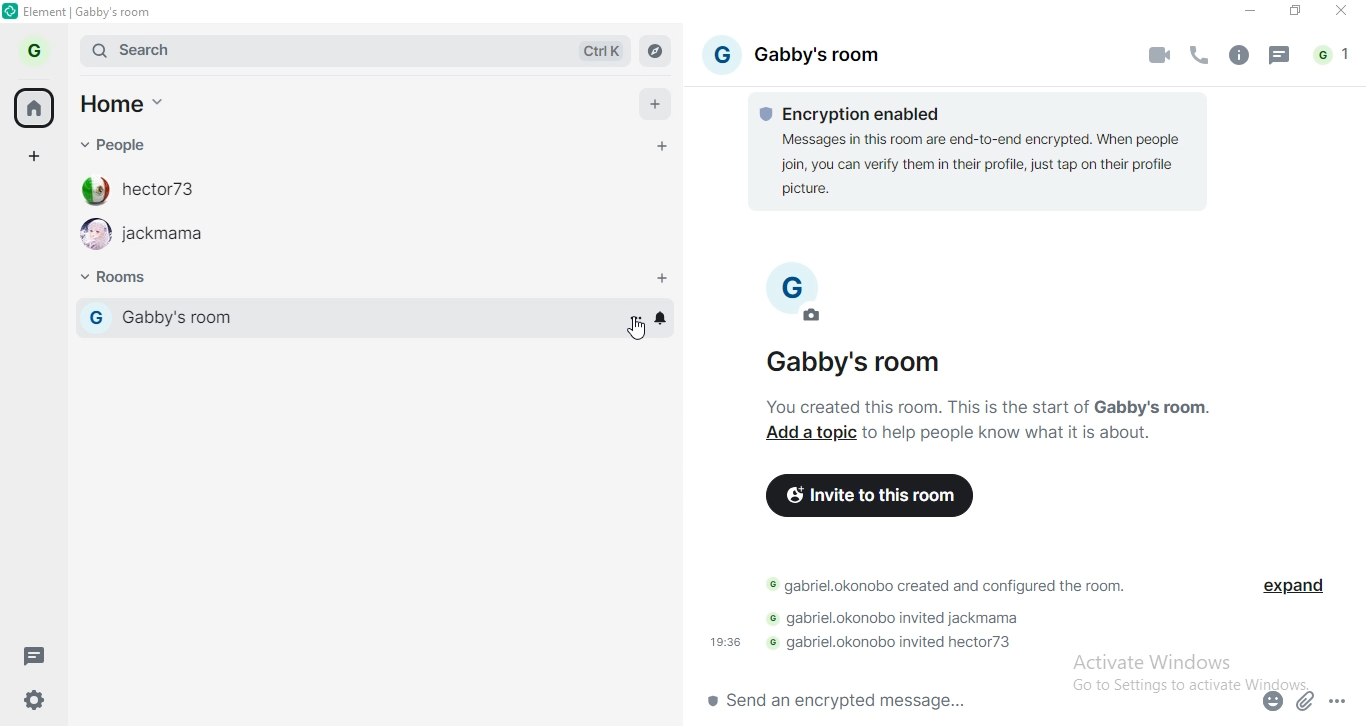 The image size is (1366, 726). What do you see at coordinates (790, 284) in the screenshot?
I see `profile` at bounding box center [790, 284].